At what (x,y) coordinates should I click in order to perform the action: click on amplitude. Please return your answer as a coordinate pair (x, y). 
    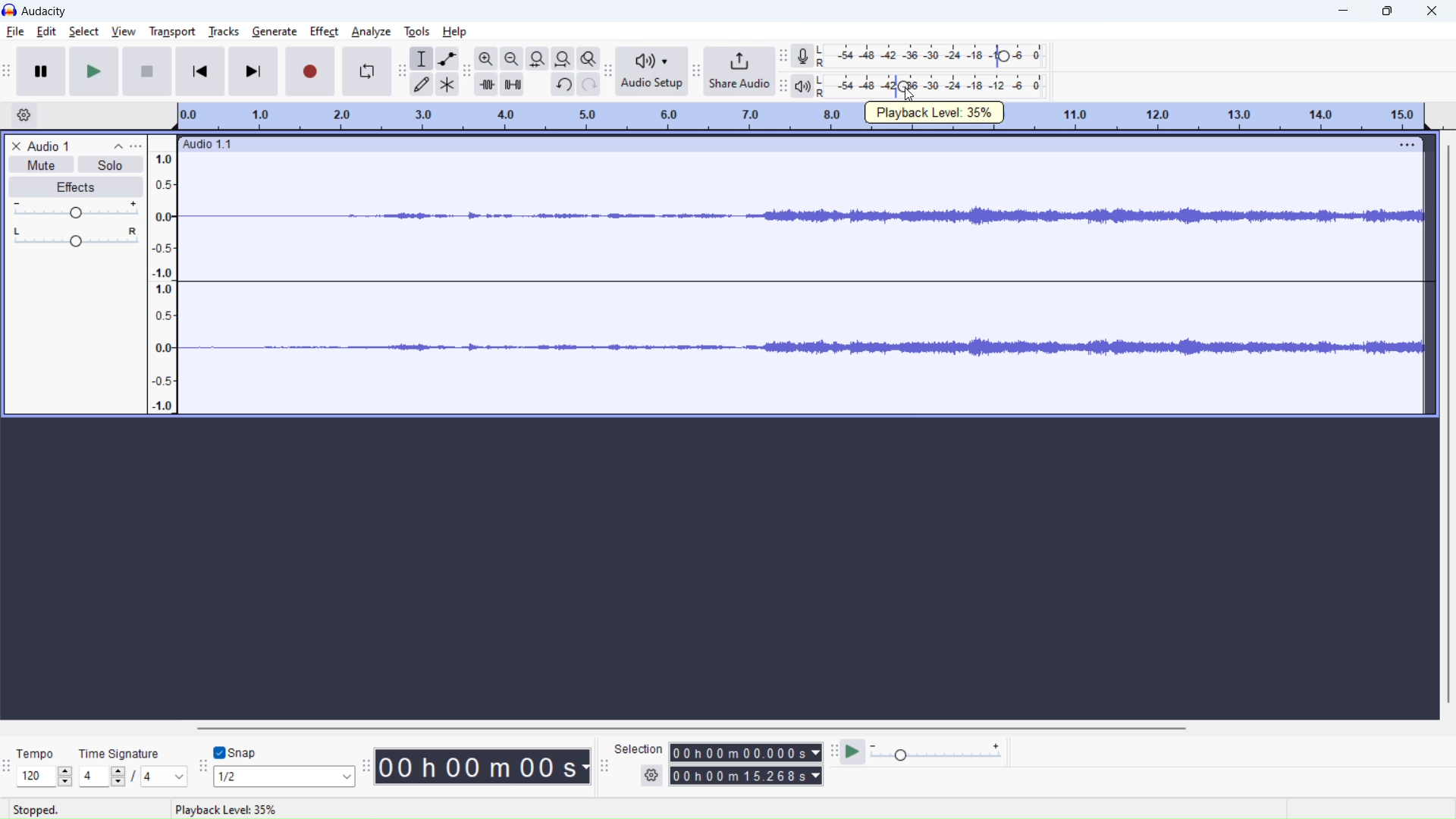
    Looking at the image, I should click on (162, 275).